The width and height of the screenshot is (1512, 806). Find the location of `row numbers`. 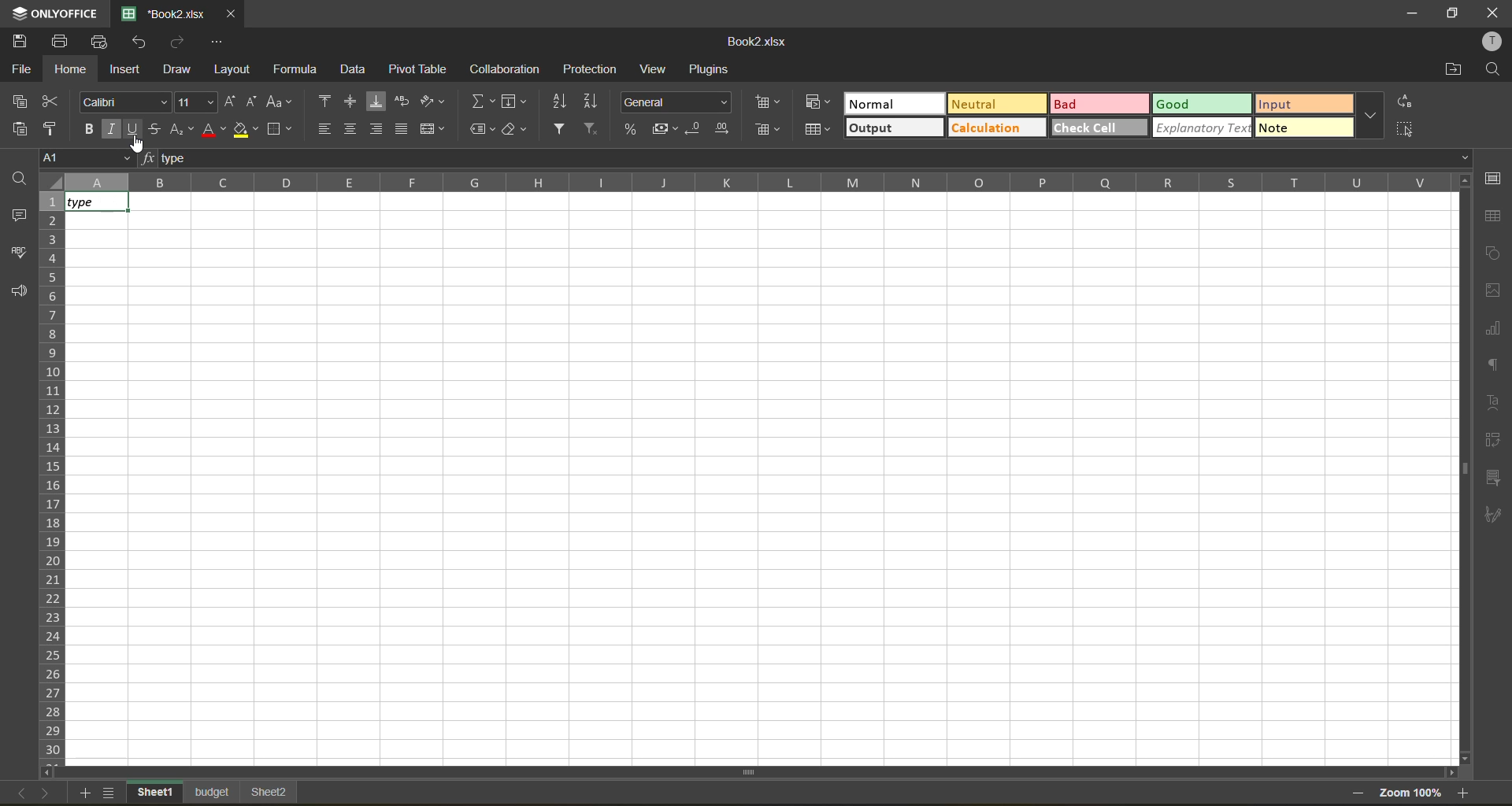

row numbers is located at coordinates (50, 478).